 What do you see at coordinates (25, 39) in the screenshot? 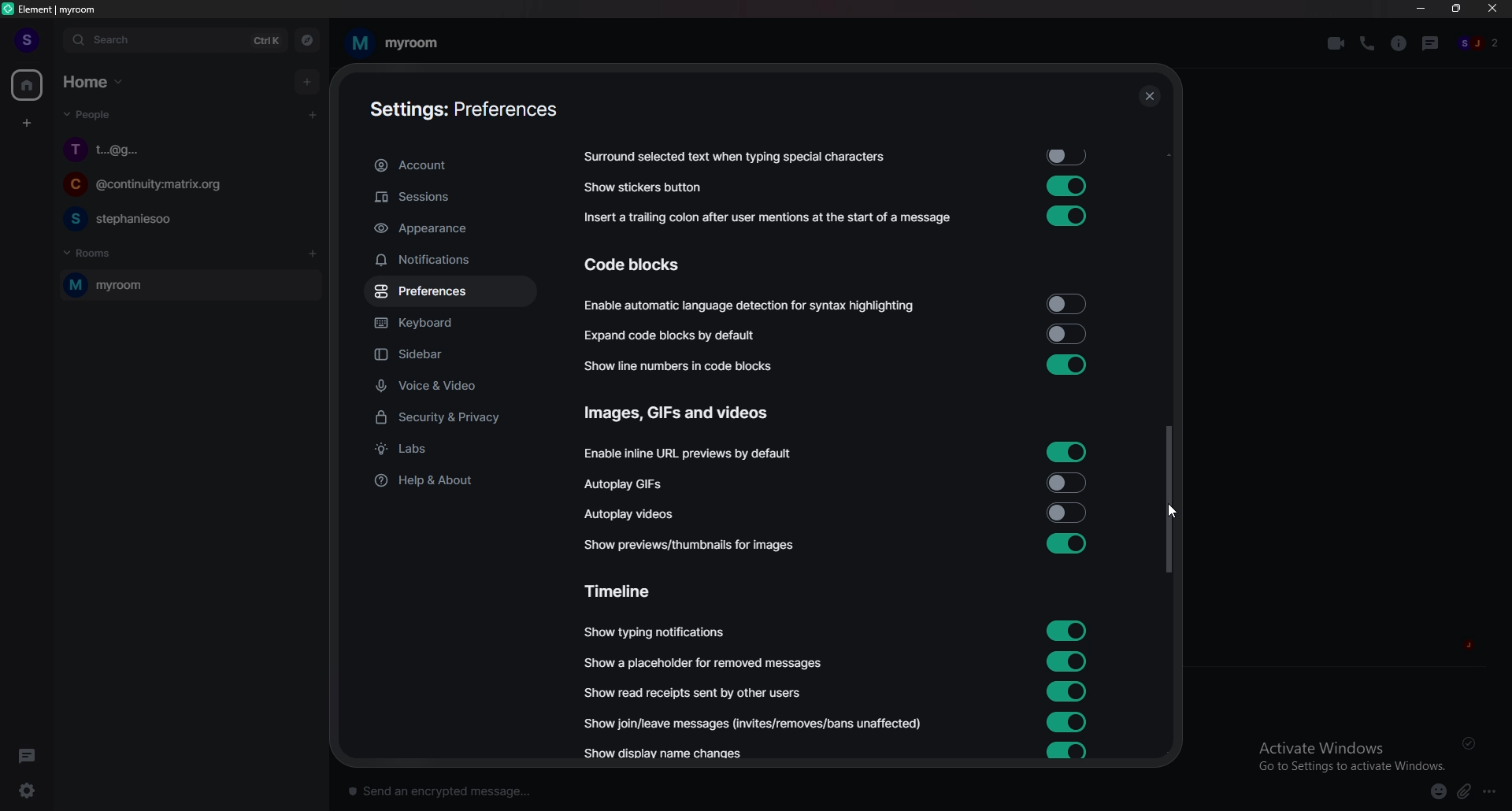
I see `profile` at bounding box center [25, 39].